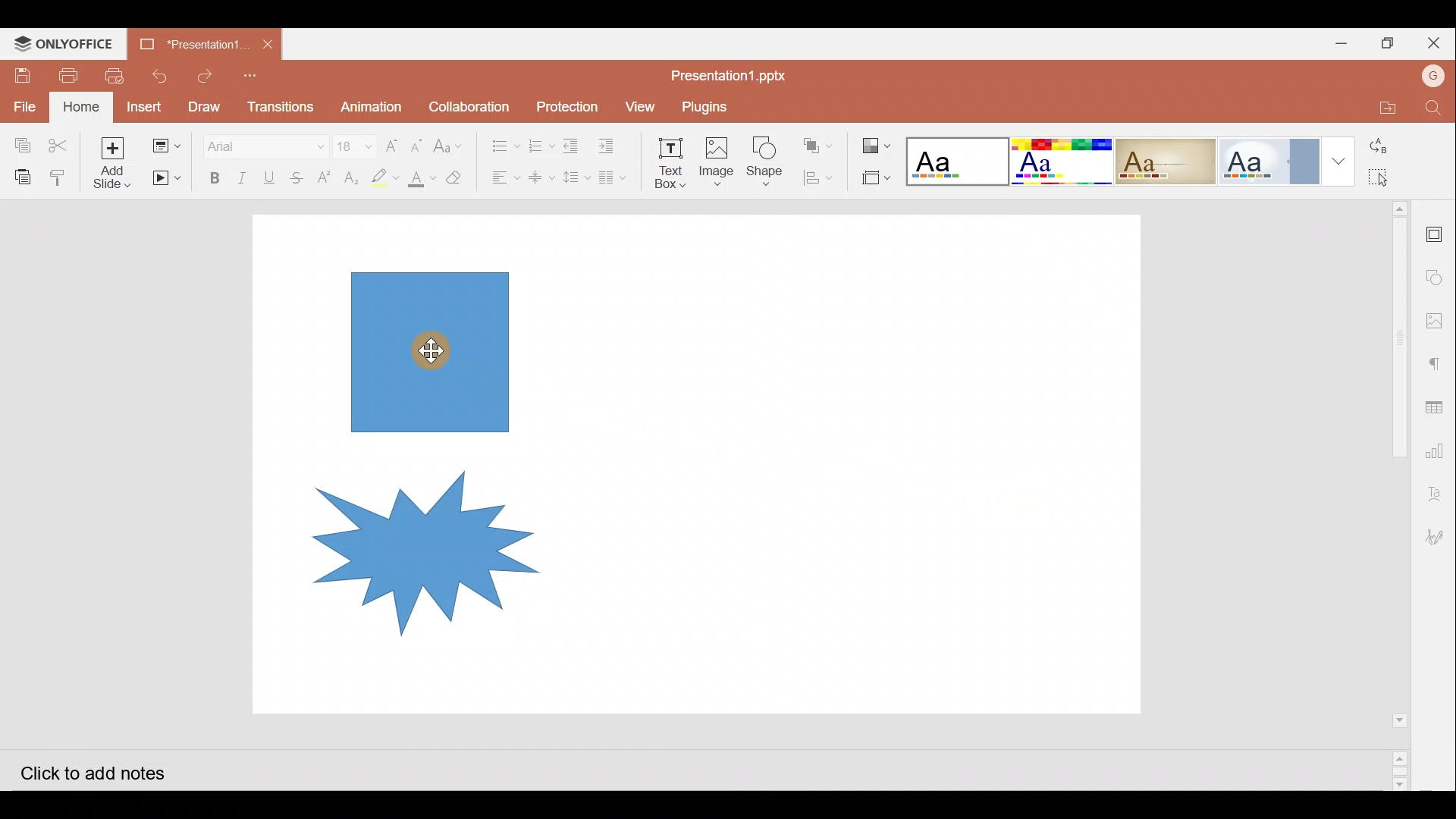  Describe the element at coordinates (1269, 160) in the screenshot. I see `Official` at that location.